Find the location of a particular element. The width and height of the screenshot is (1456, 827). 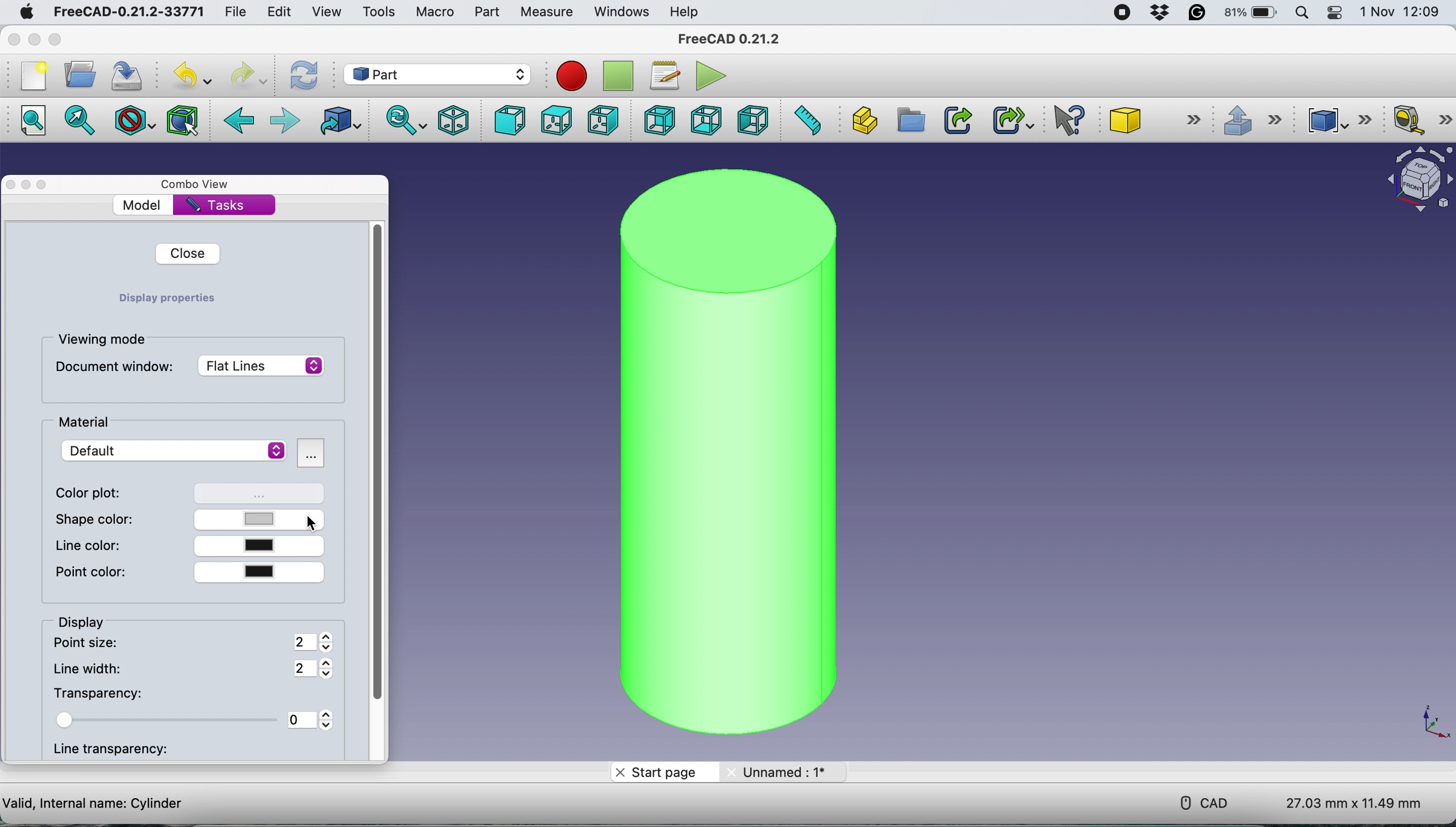

undo is located at coordinates (186, 76).